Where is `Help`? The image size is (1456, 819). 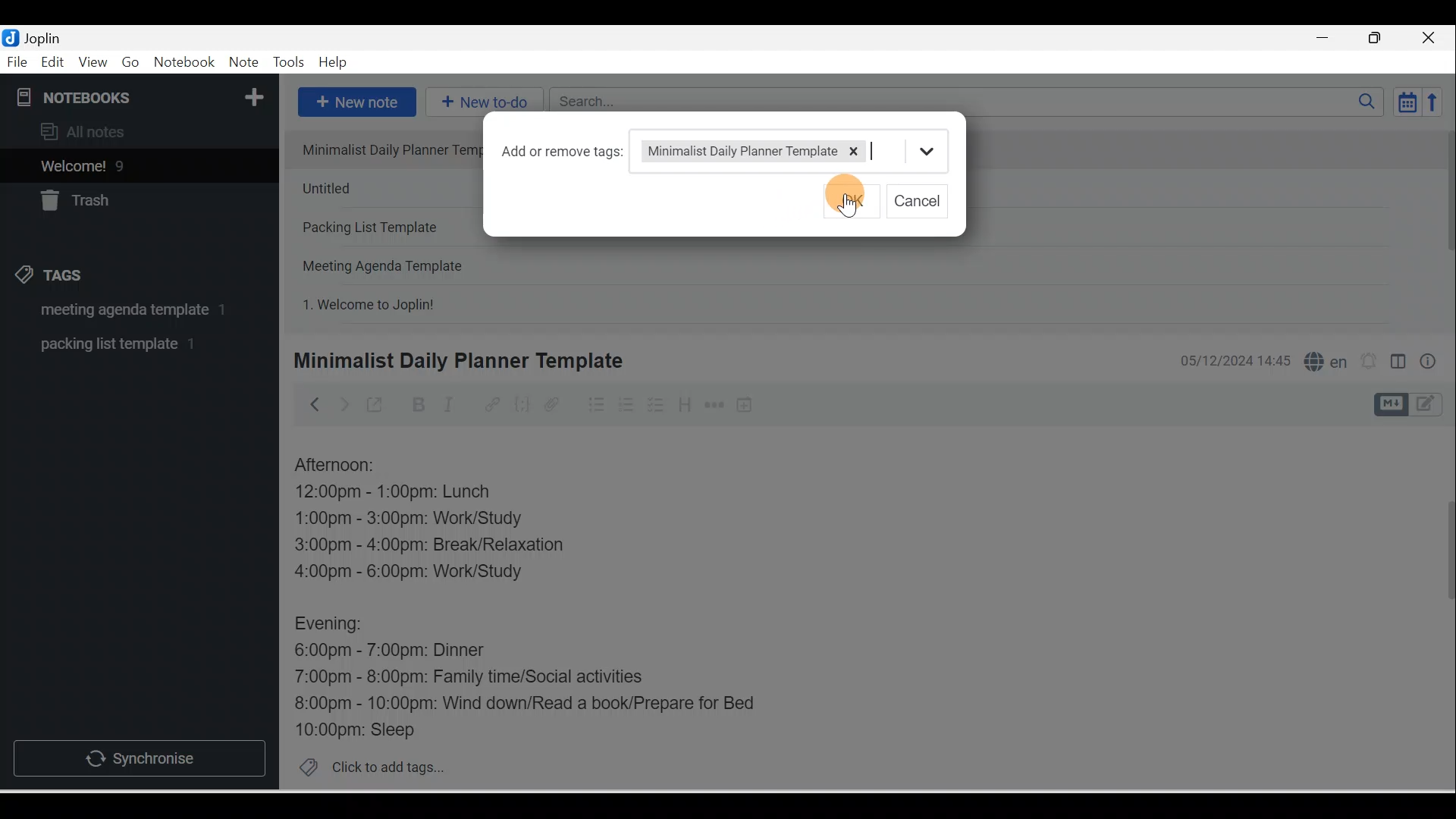
Help is located at coordinates (334, 63).